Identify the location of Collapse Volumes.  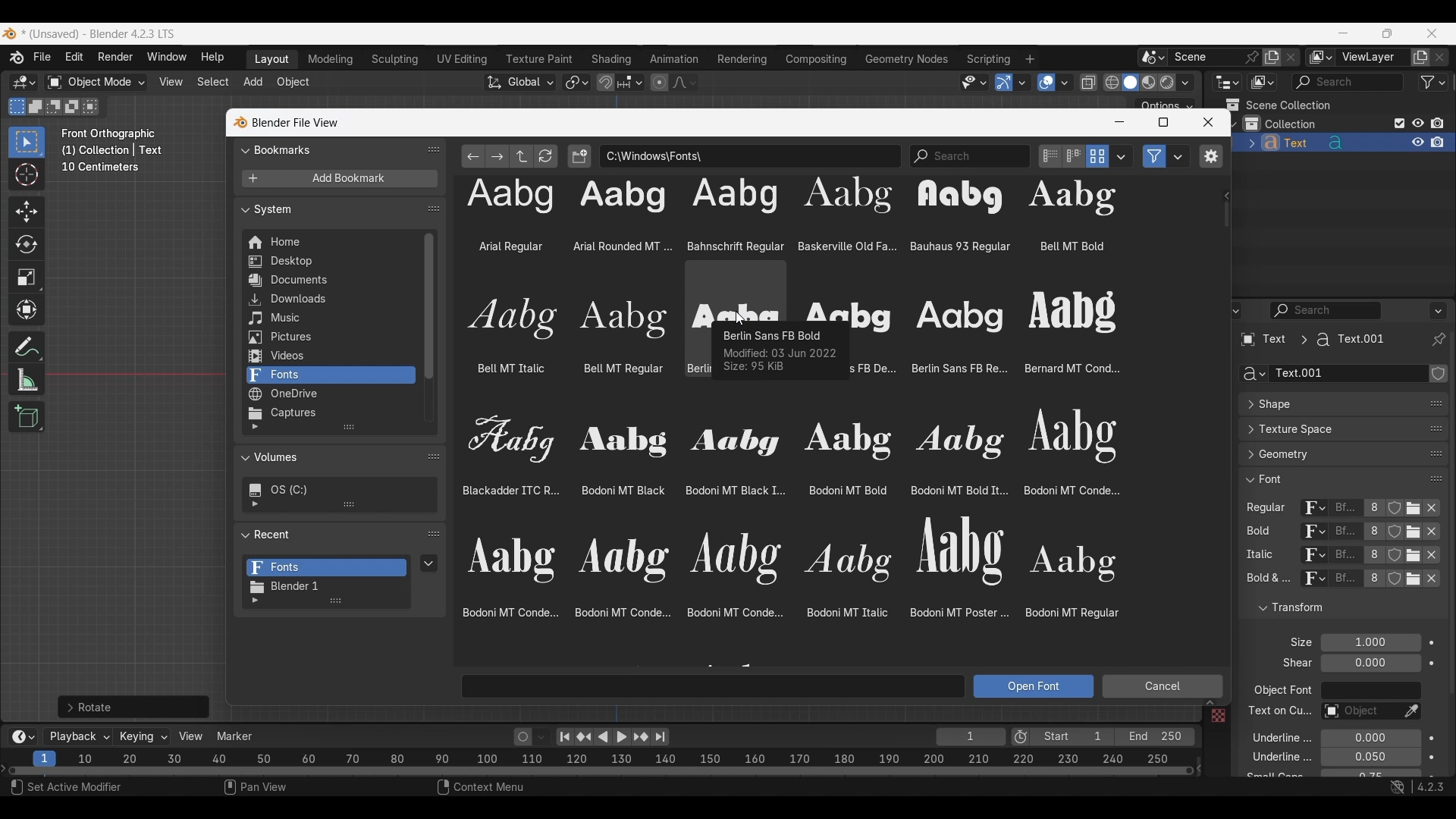
(325, 458).